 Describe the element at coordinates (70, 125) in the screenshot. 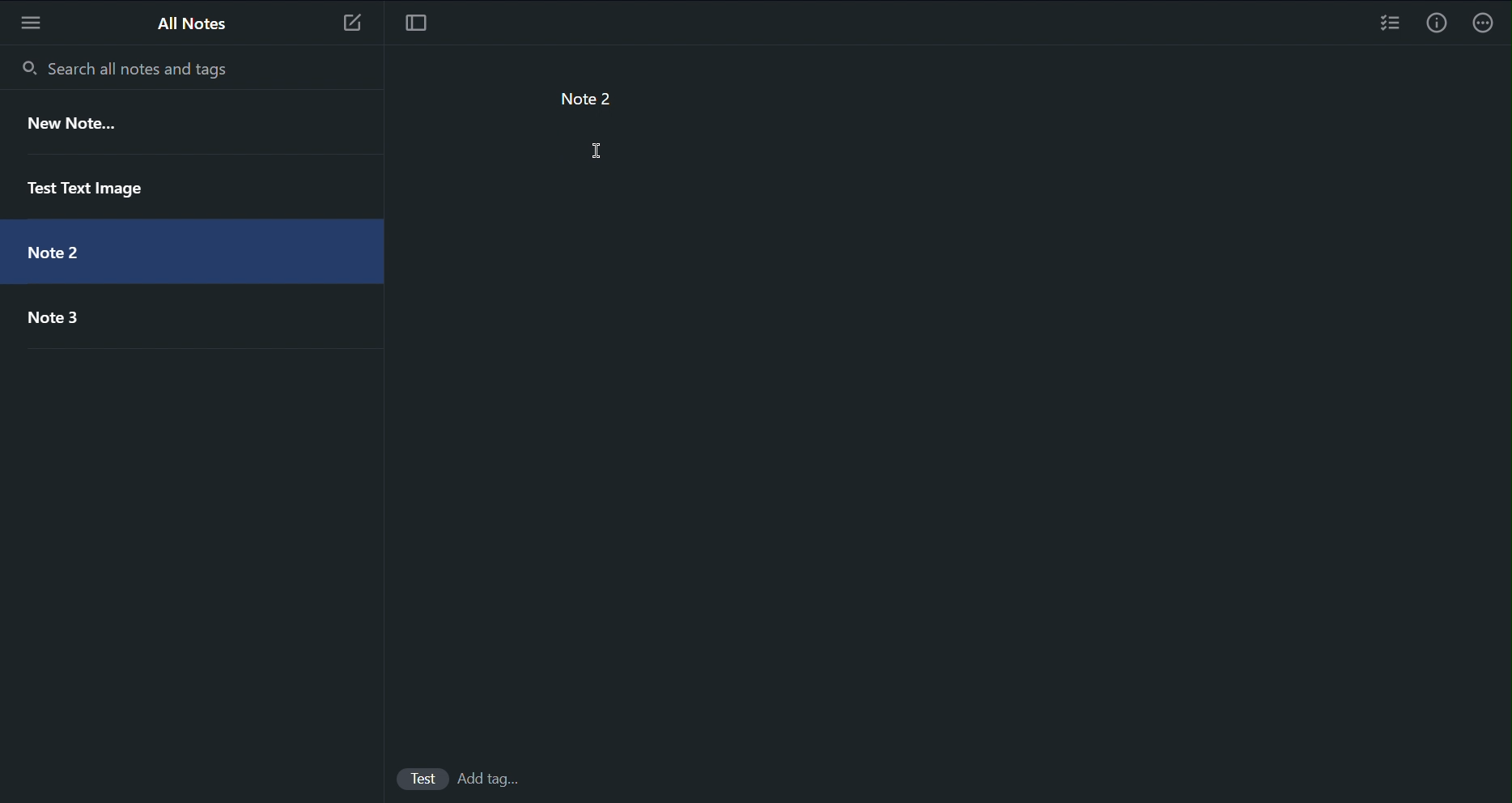

I see `New Note` at that location.